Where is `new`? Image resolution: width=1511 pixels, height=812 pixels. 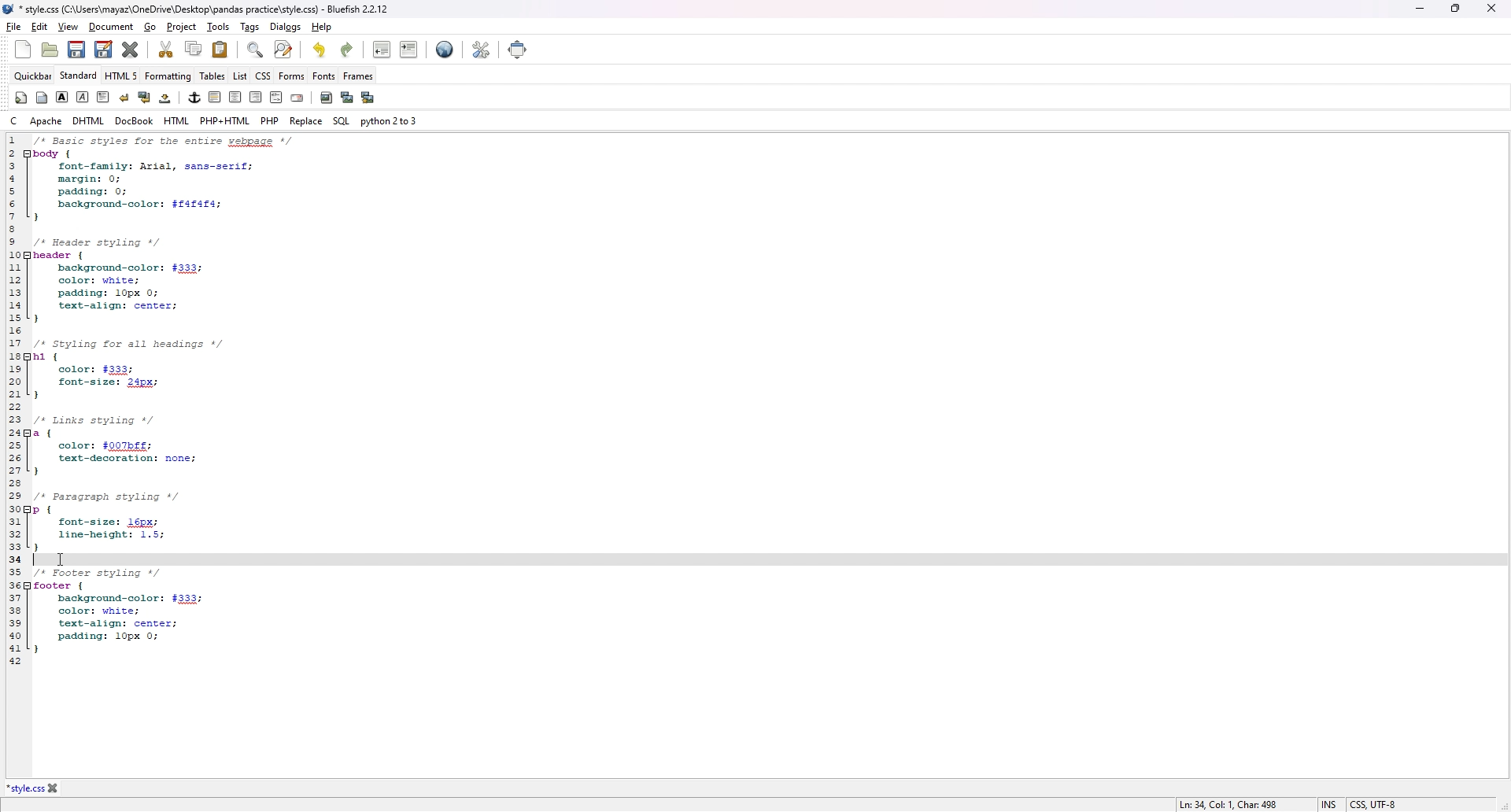 new is located at coordinates (24, 49).